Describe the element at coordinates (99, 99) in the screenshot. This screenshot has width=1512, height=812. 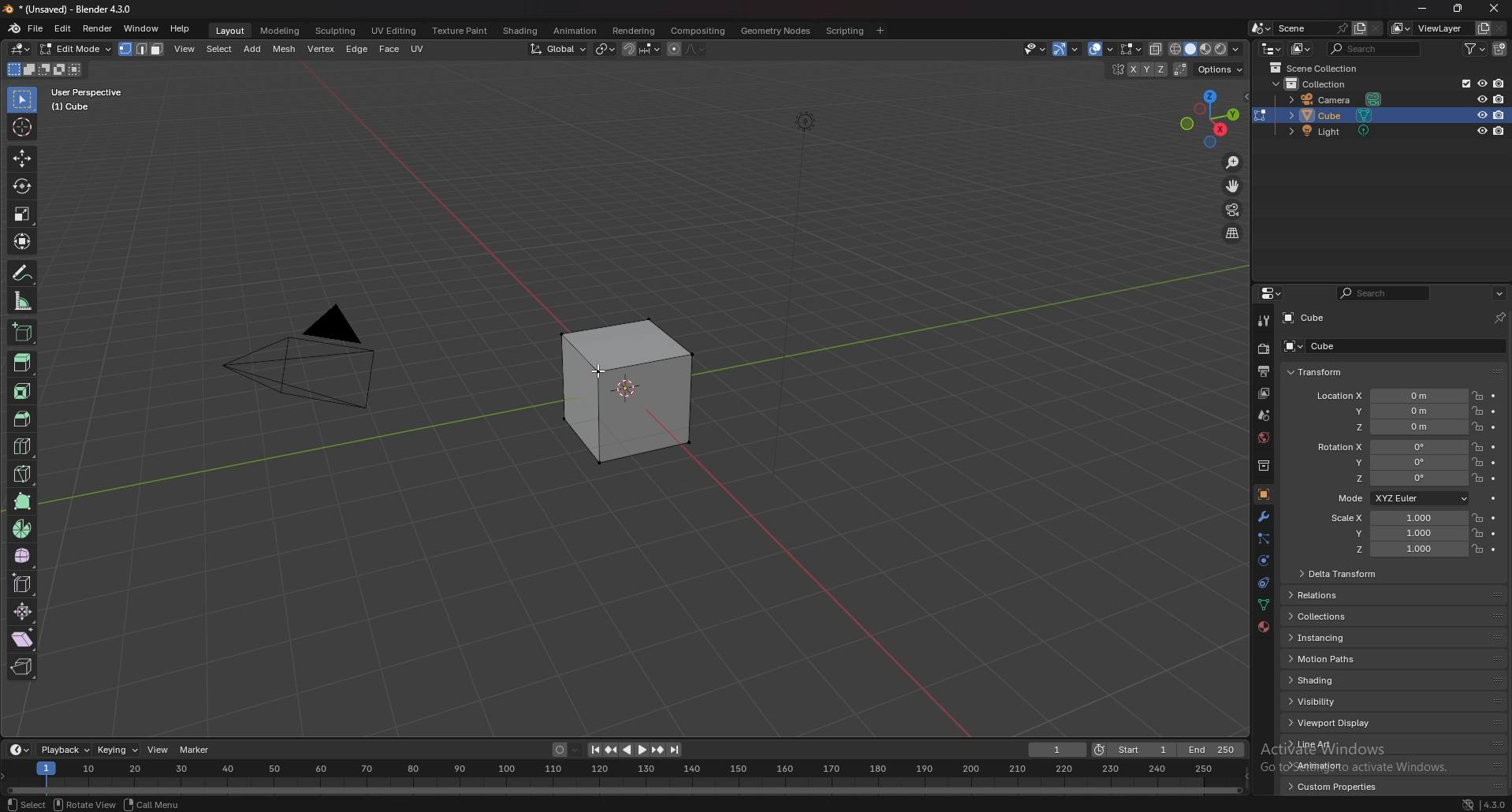
I see `user perspective` at that location.